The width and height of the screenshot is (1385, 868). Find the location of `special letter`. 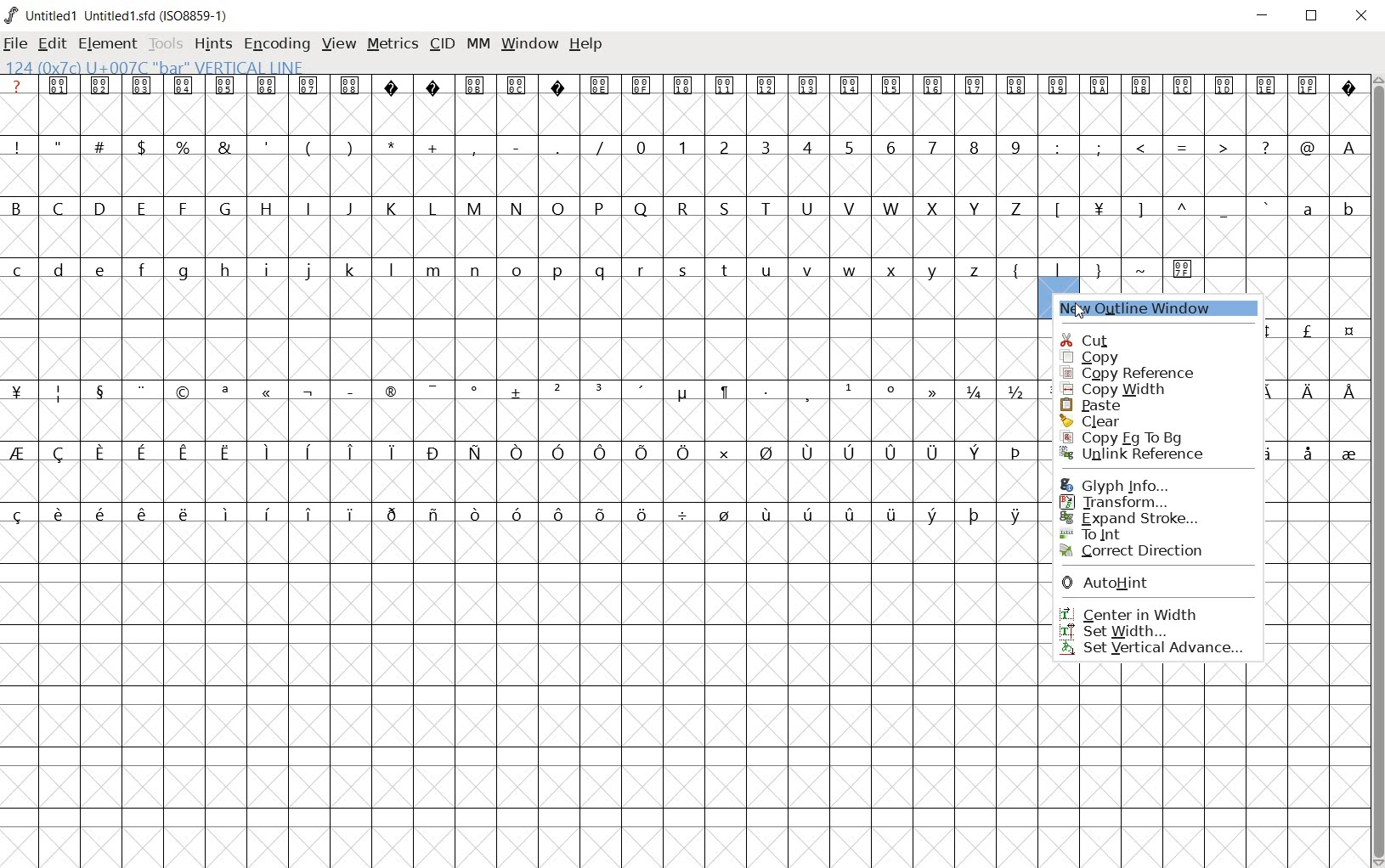

special letter is located at coordinates (1326, 451).